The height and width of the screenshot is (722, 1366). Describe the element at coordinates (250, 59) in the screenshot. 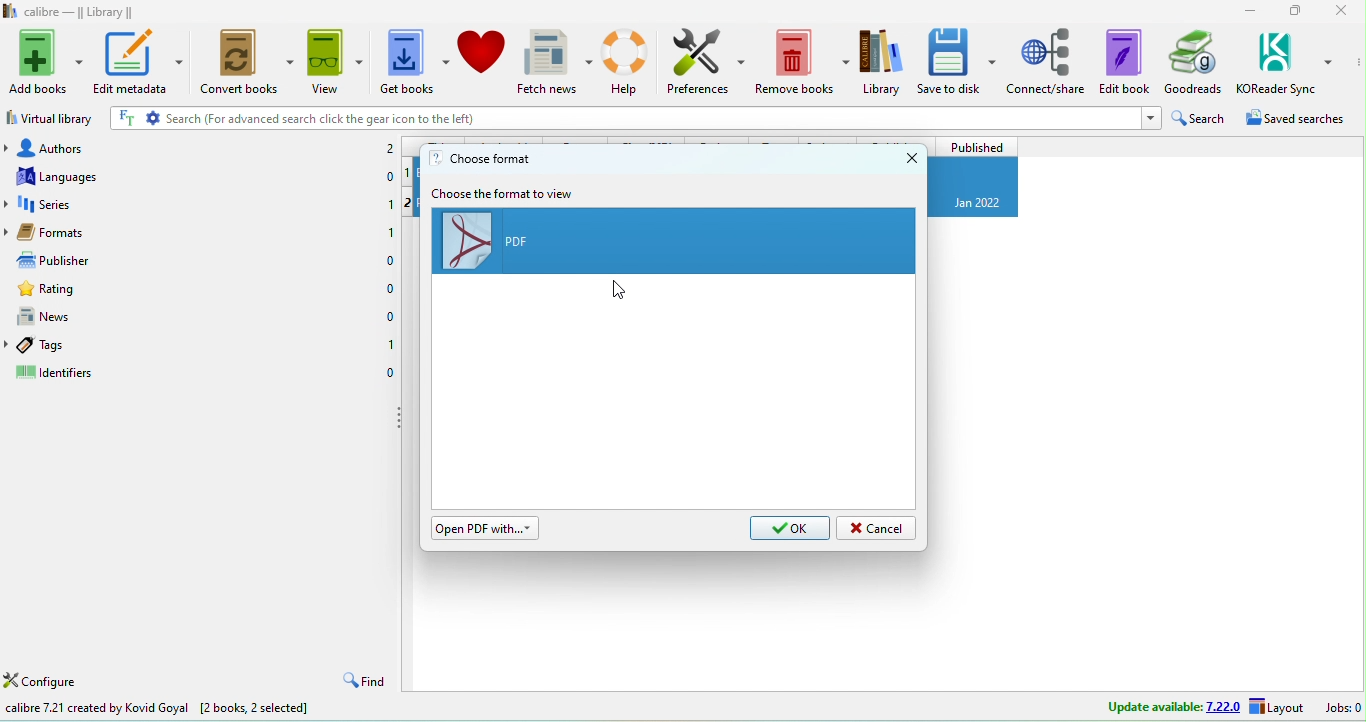

I see `Convert books` at that location.